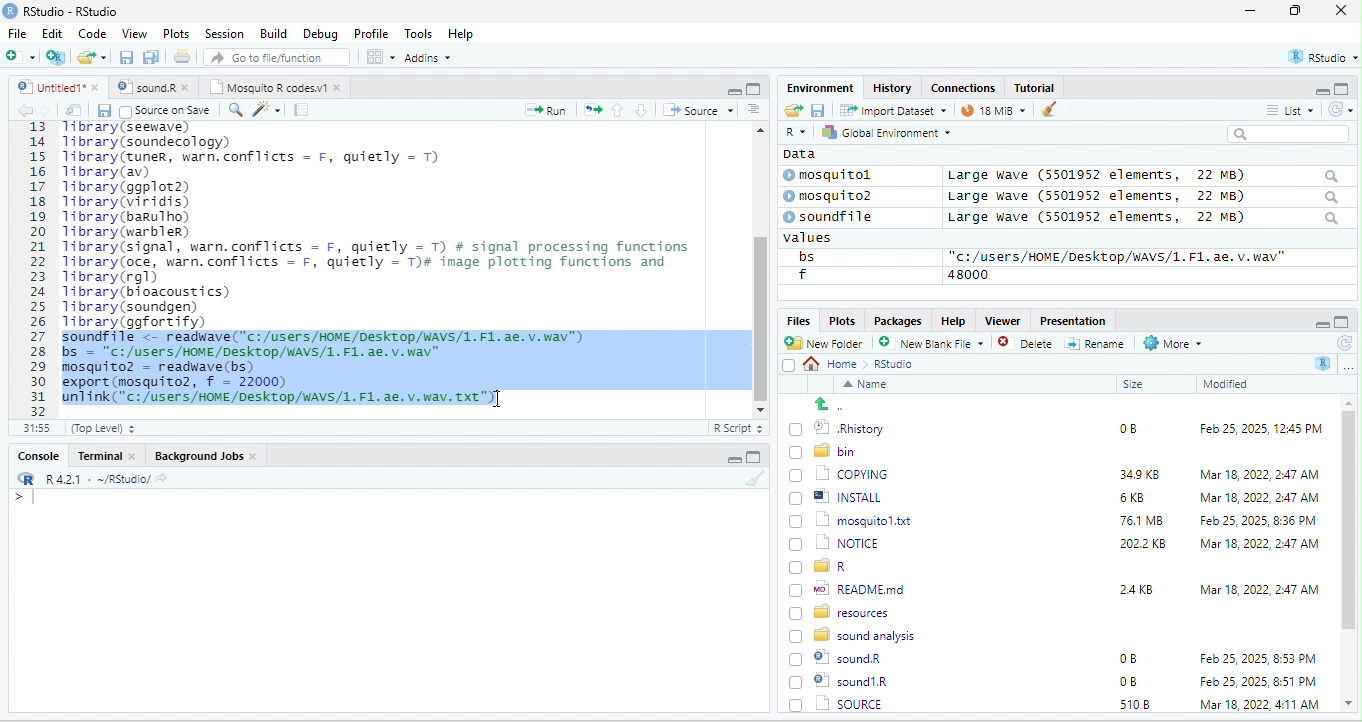 This screenshot has width=1362, height=722. What do you see at coordinates (753, 108) in the screenshot?
I see `sort` at bounding box center [753, 108].